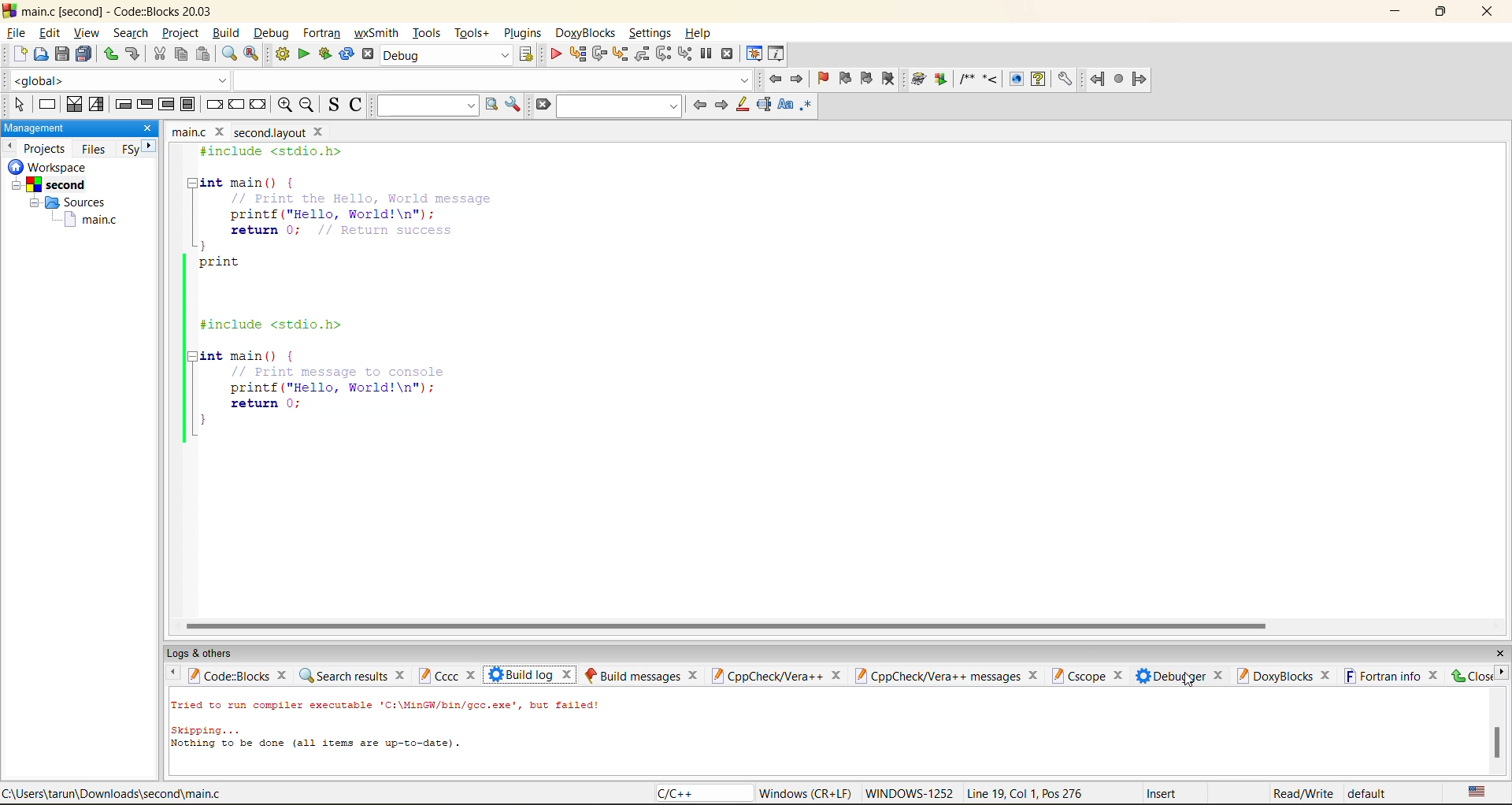 This screenshot has width=1512, height=805. I want to click on app name and file name, so click(119, 9).